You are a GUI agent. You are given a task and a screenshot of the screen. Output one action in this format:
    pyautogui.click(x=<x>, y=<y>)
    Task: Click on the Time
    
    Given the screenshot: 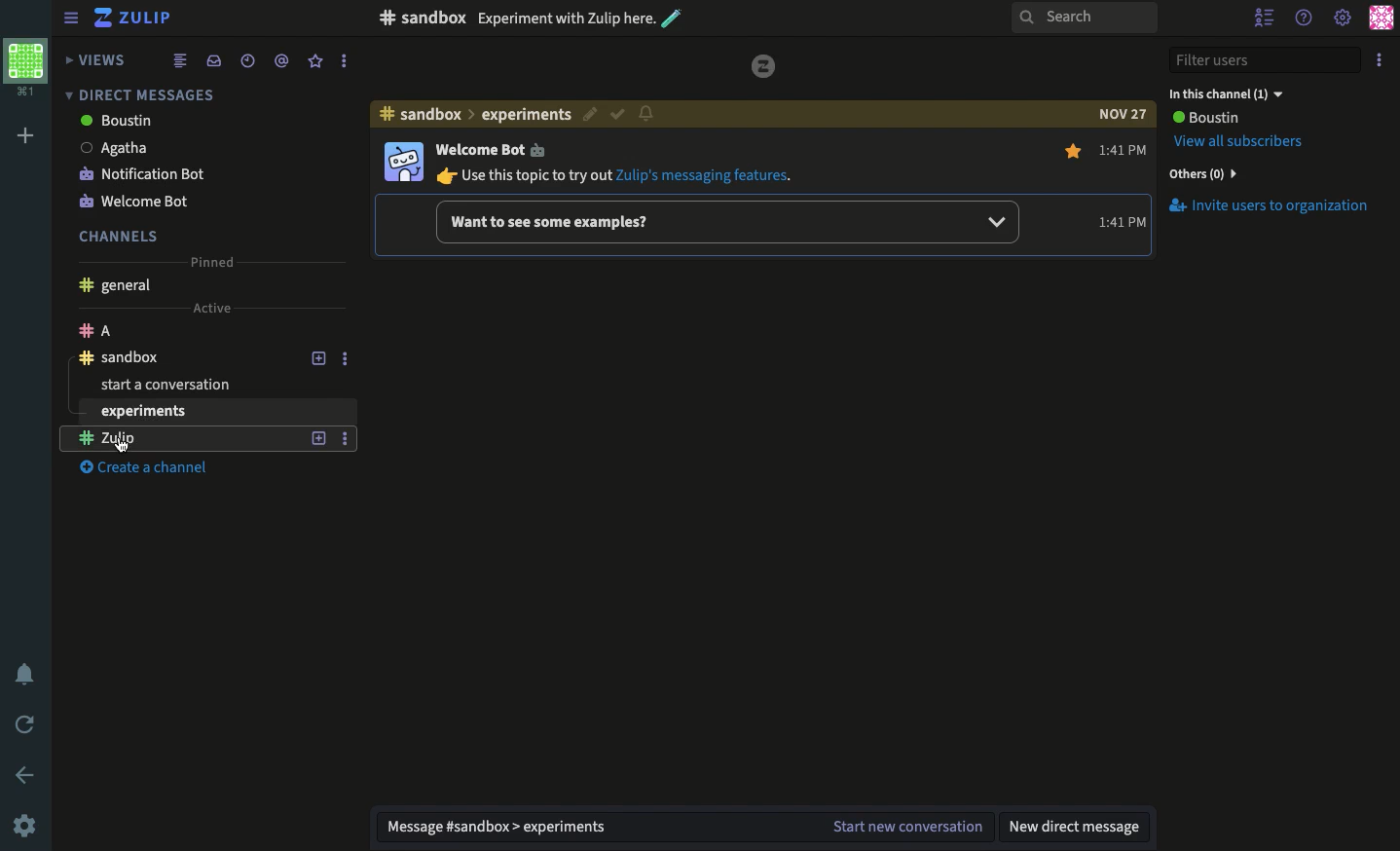 What is the action you would take?
    pyautogui.click(x=245, y=60)
    